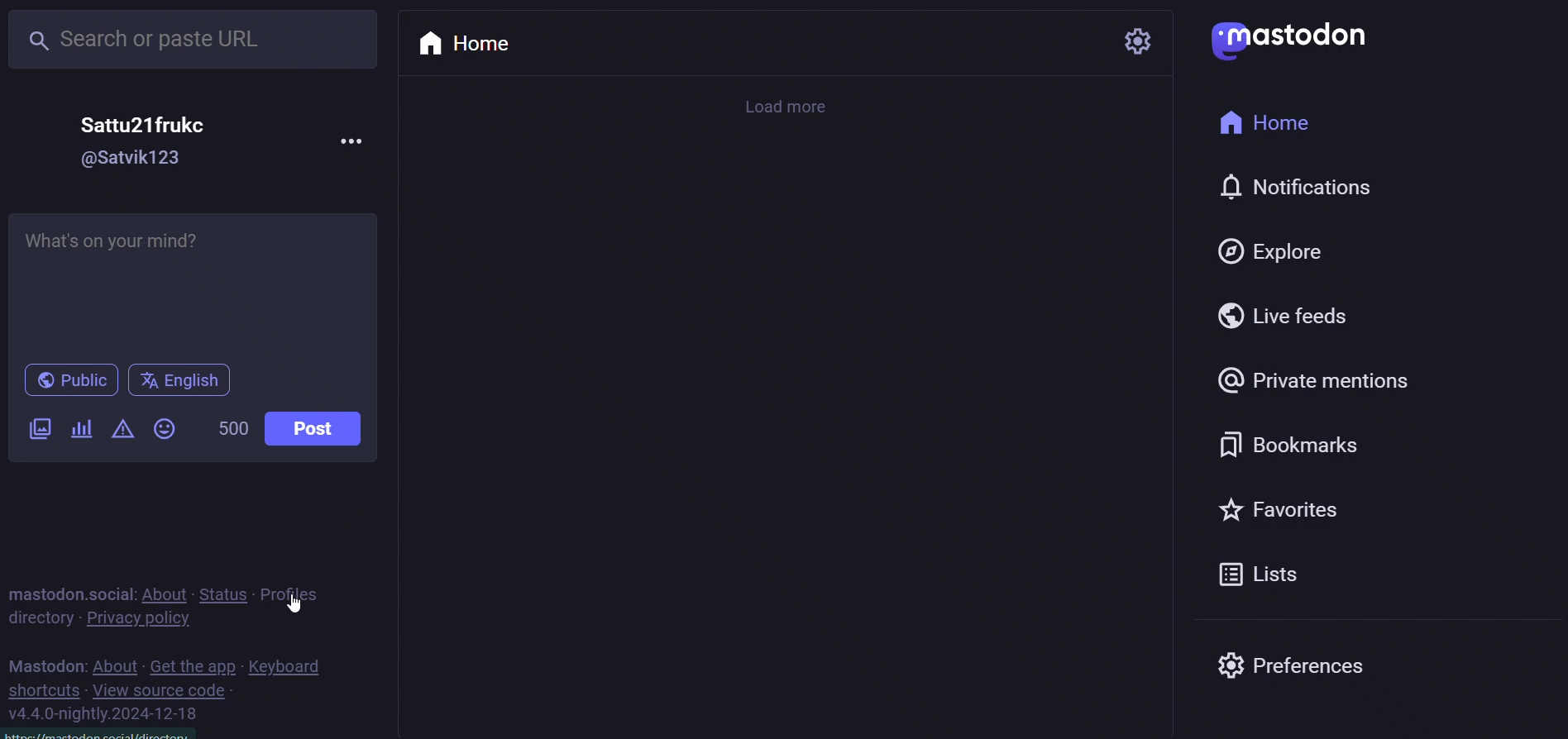 This screenshot has height=739, width=1568. I want to click on post, so click(322, 432).